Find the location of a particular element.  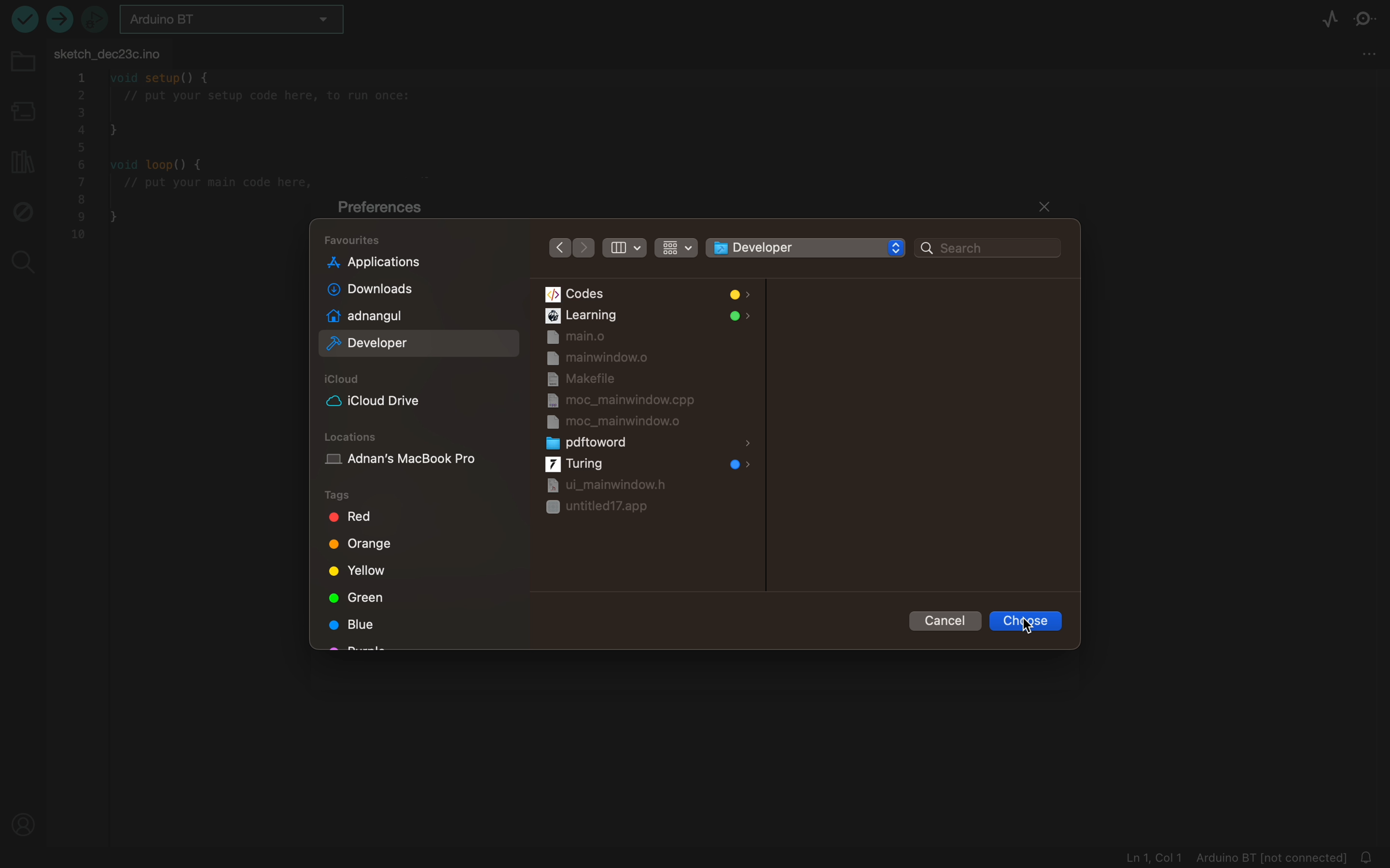

main window is located at coordinates (612, 485).